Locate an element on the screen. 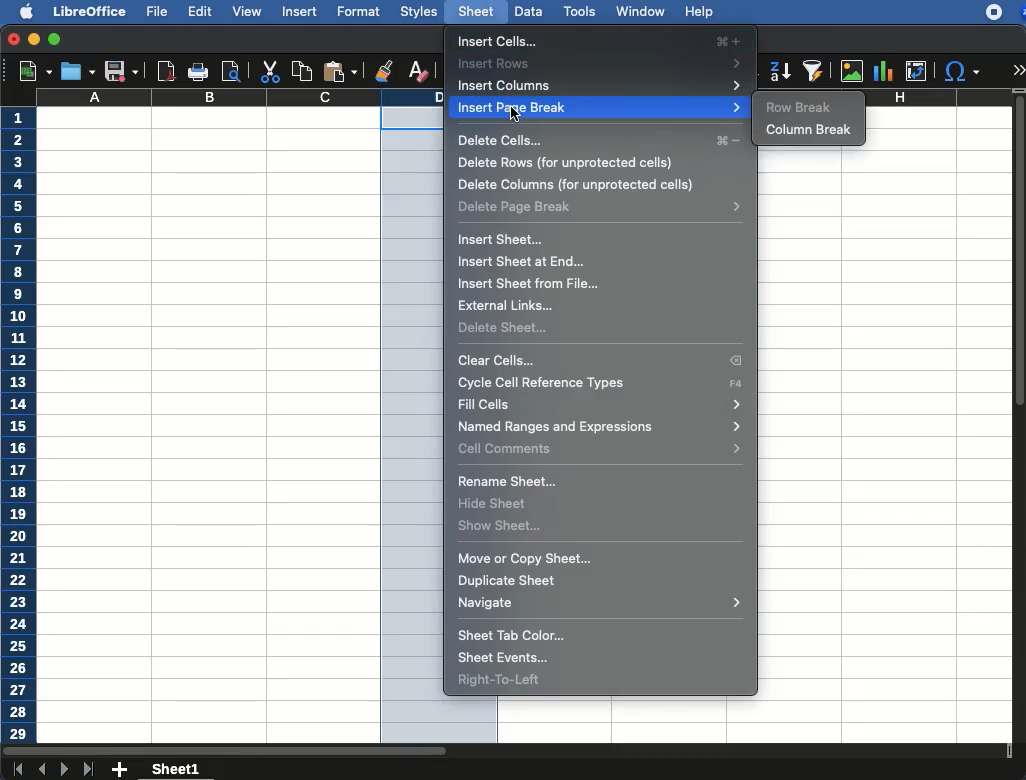 The height and width of the screenshot is (780, 1026). move or copy sheet is located at coordinates (527, 560).